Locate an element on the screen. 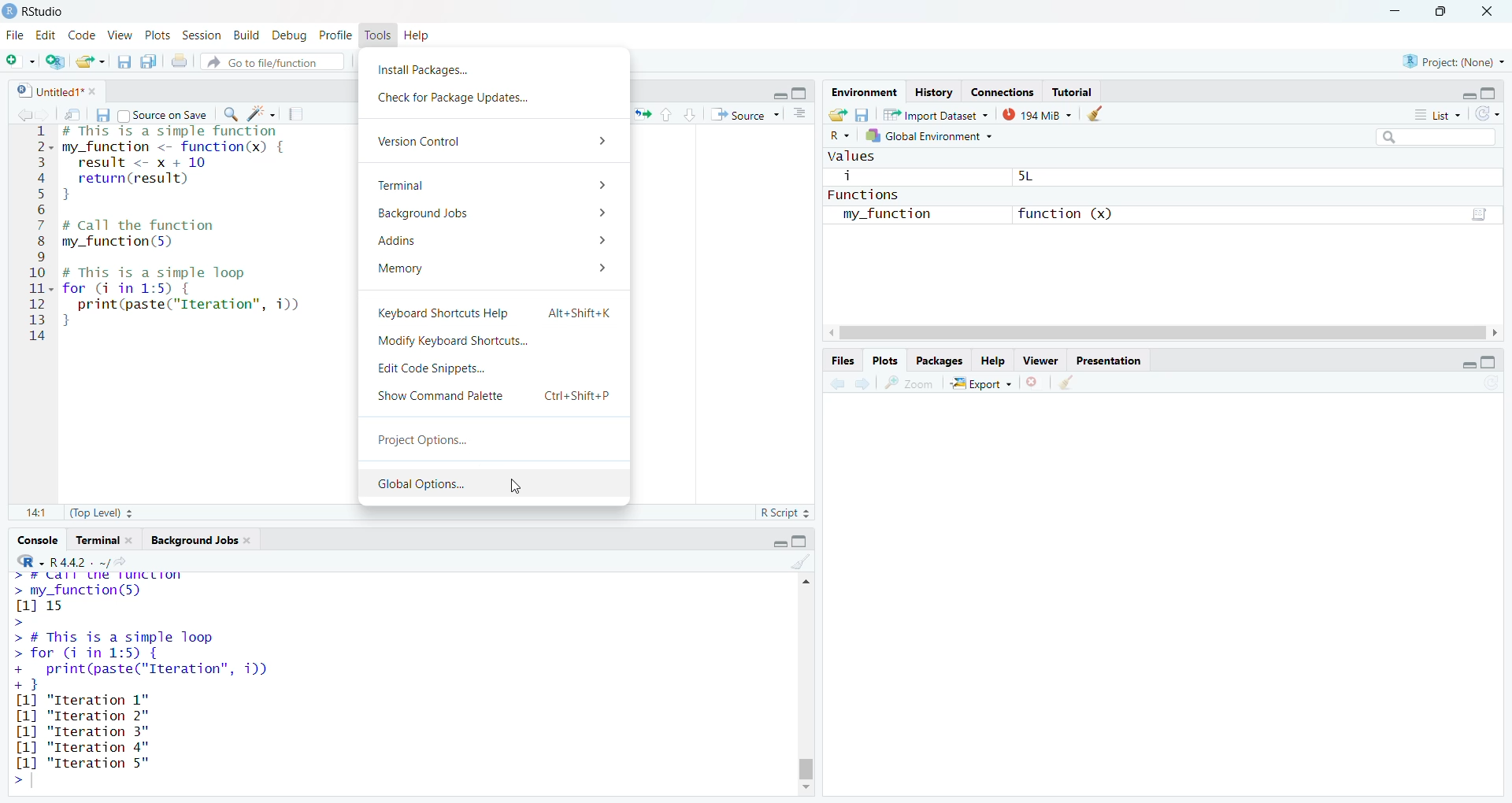  untitled is located at coordinates (42, 90).